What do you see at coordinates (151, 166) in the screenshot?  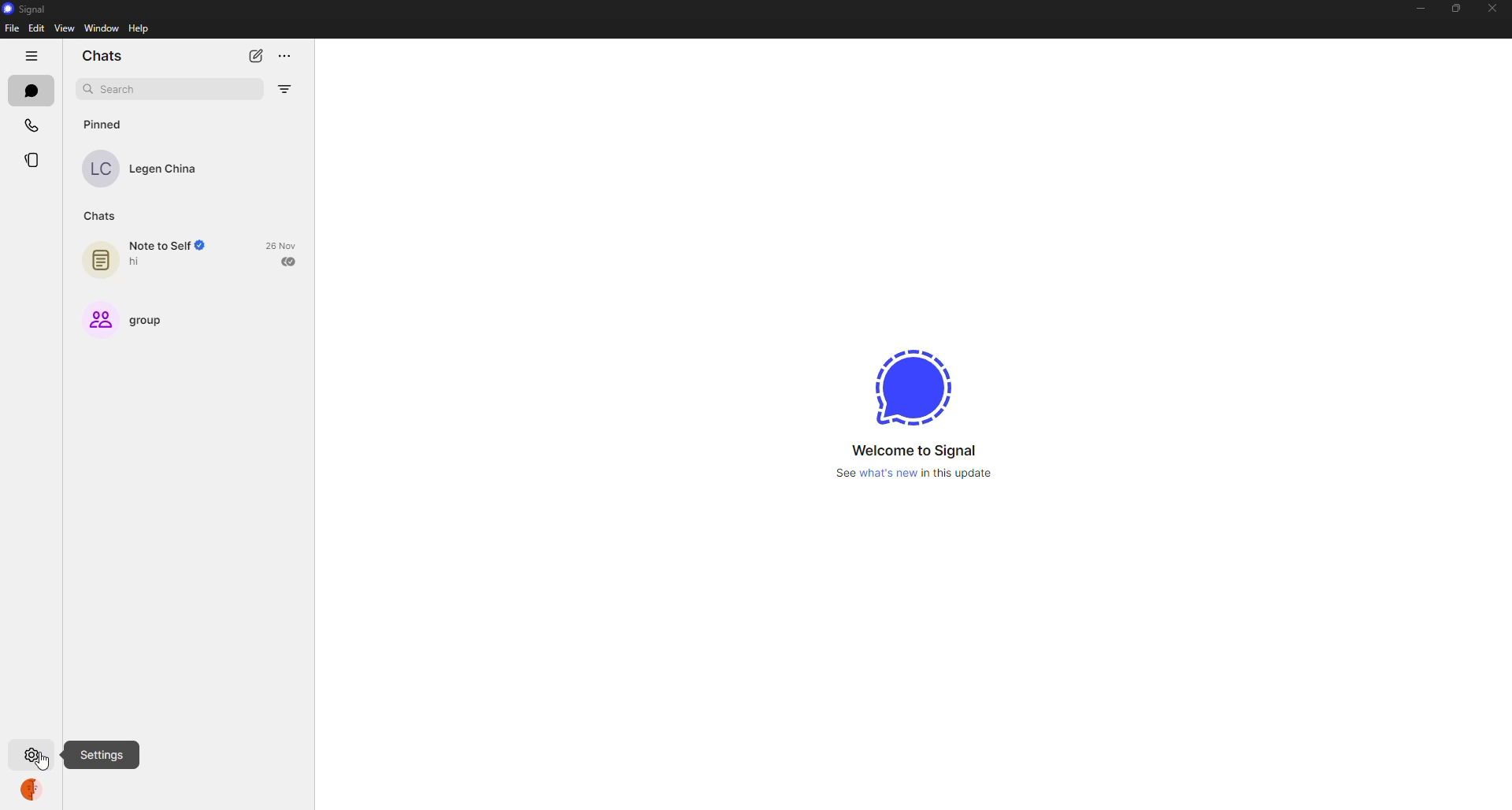 I see `contact` at bounding box center [151, 166].